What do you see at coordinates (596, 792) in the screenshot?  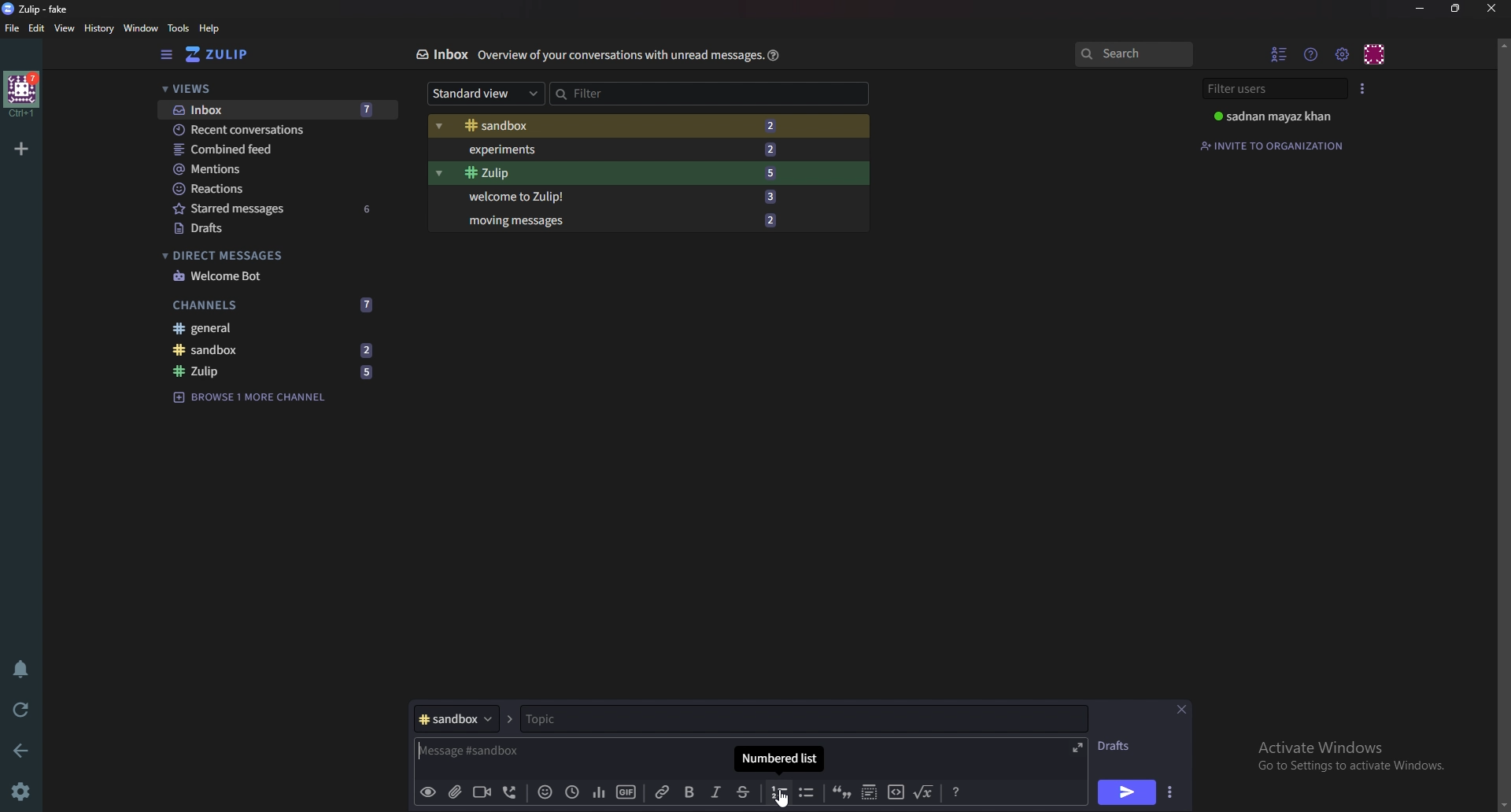 I see `poll` at bounding box center [596, 792].